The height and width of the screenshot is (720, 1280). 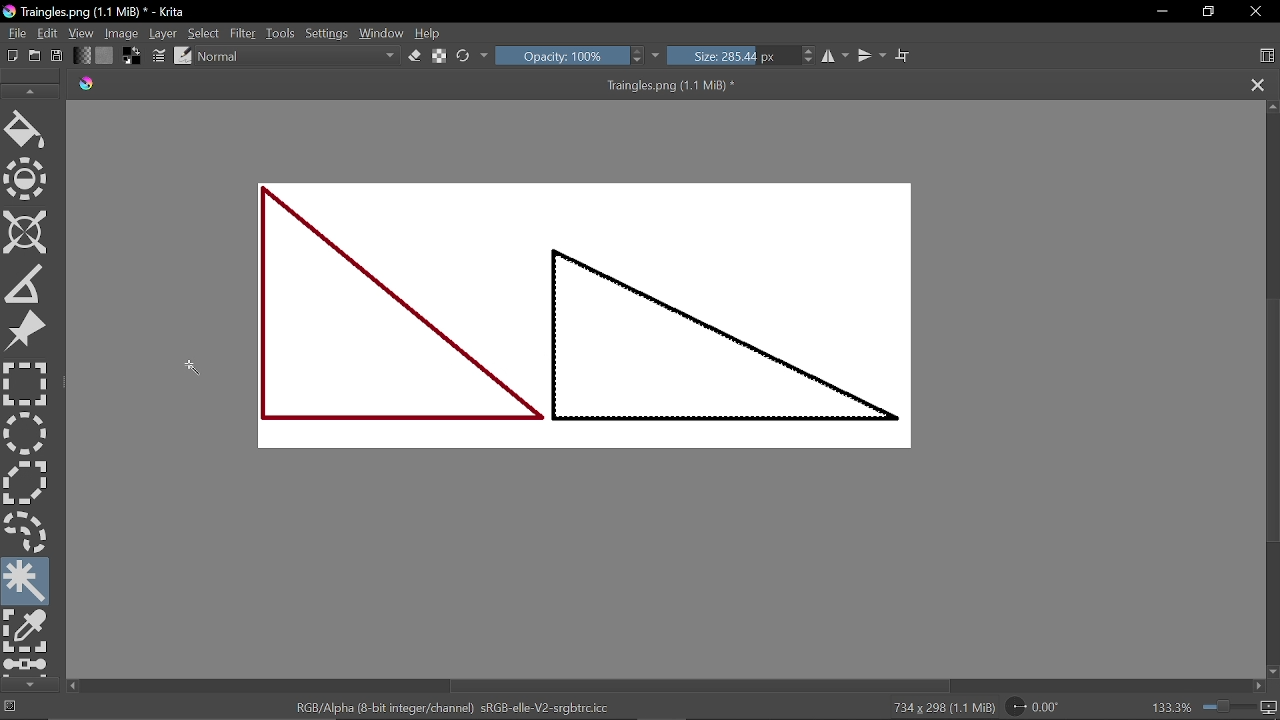 What do you see at coordinates (726, 328) in the screenshot?
I see `magic wand applied to a the selected triangle` at bounding box center [726, 328].